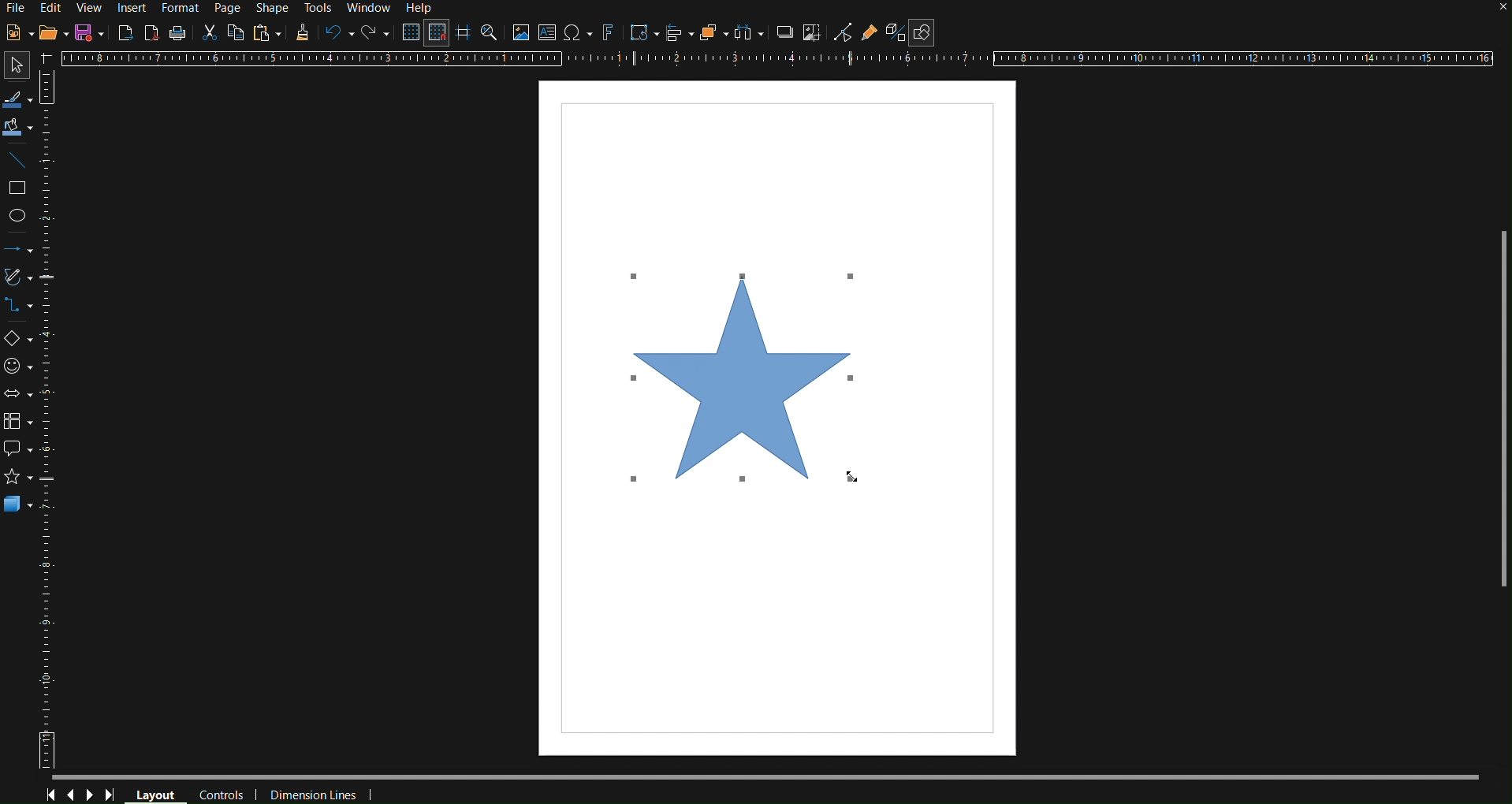 This screenshot has height=804, width=1512. I want to click on Box Arrows, so click(20, 395).